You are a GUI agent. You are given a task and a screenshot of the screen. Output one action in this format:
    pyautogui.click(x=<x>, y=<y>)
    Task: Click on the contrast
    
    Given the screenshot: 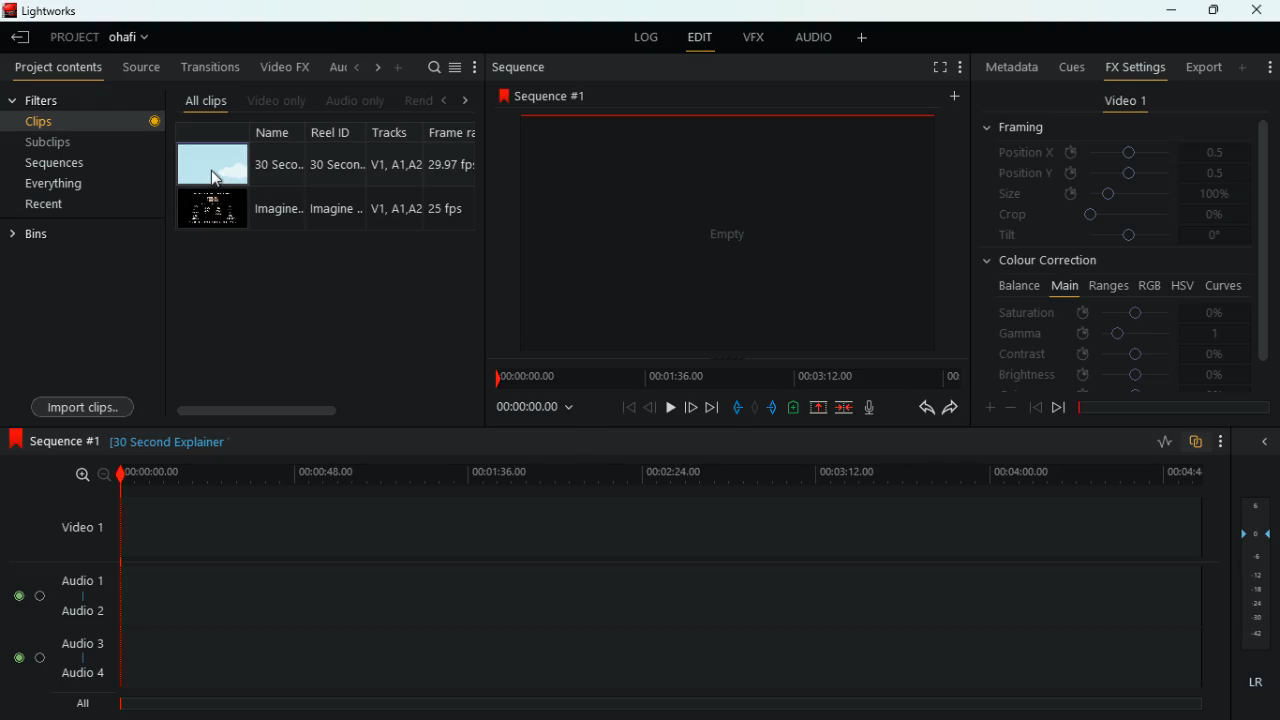 What is the action you would take?
    pyautogui.click(x=1110, y=355)
    